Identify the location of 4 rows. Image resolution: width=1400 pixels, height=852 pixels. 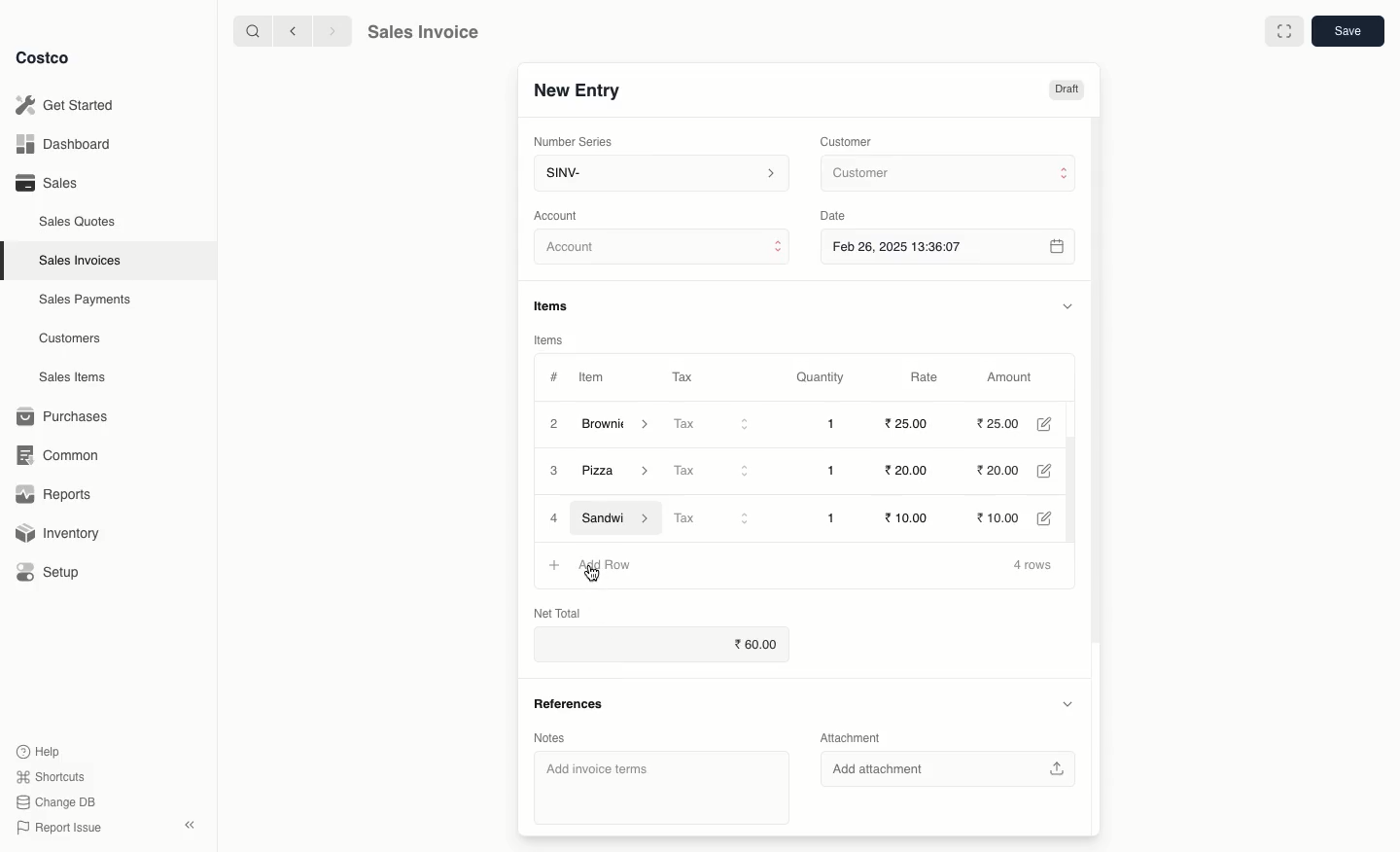
(1033, 566).